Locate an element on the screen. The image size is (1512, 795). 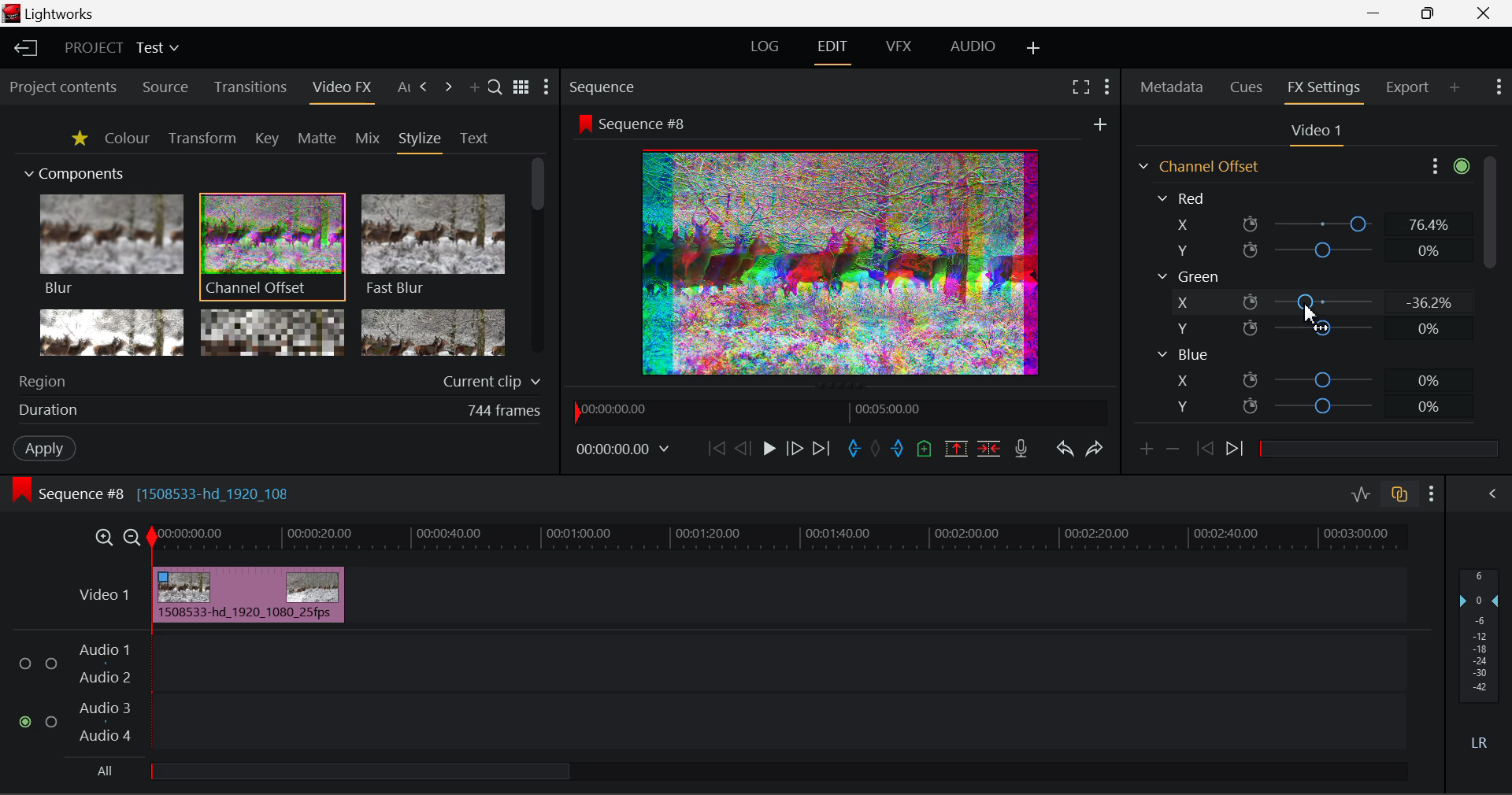
Window Title is located at coordinates (60, 14).